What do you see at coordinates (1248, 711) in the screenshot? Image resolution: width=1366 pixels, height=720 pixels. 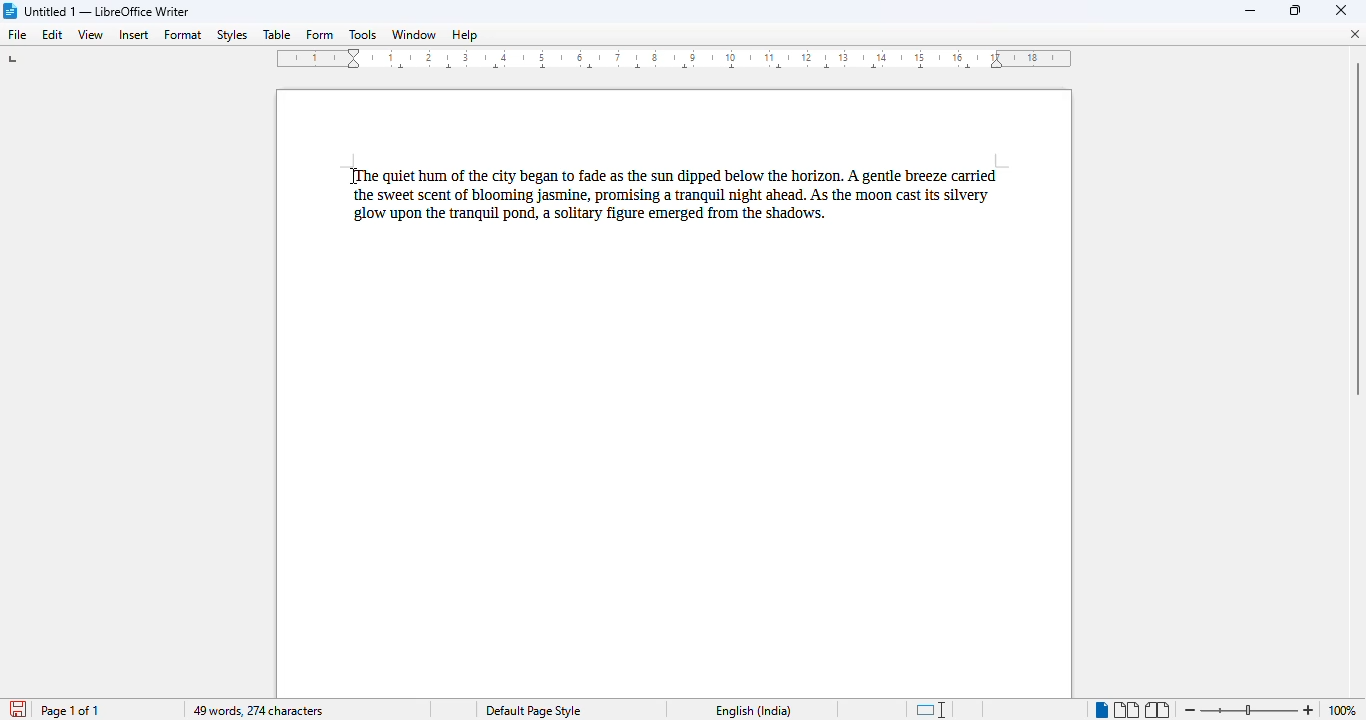 I see `zoom in or zoom out bar` at bounding box center [1248, 711].